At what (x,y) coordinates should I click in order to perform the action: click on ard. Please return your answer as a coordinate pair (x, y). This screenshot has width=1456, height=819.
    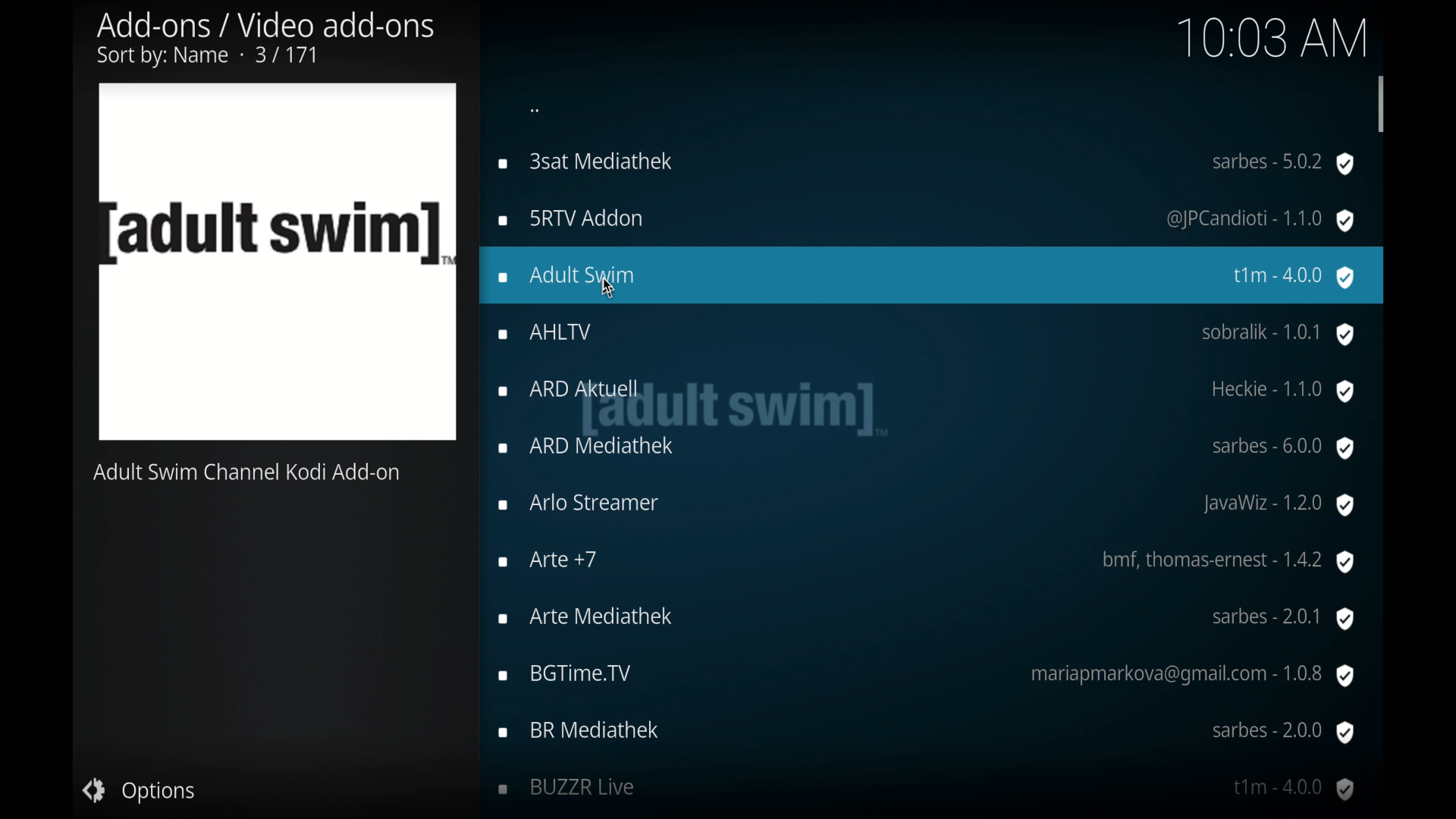
    Looking at the image, I should click on (928, 450).